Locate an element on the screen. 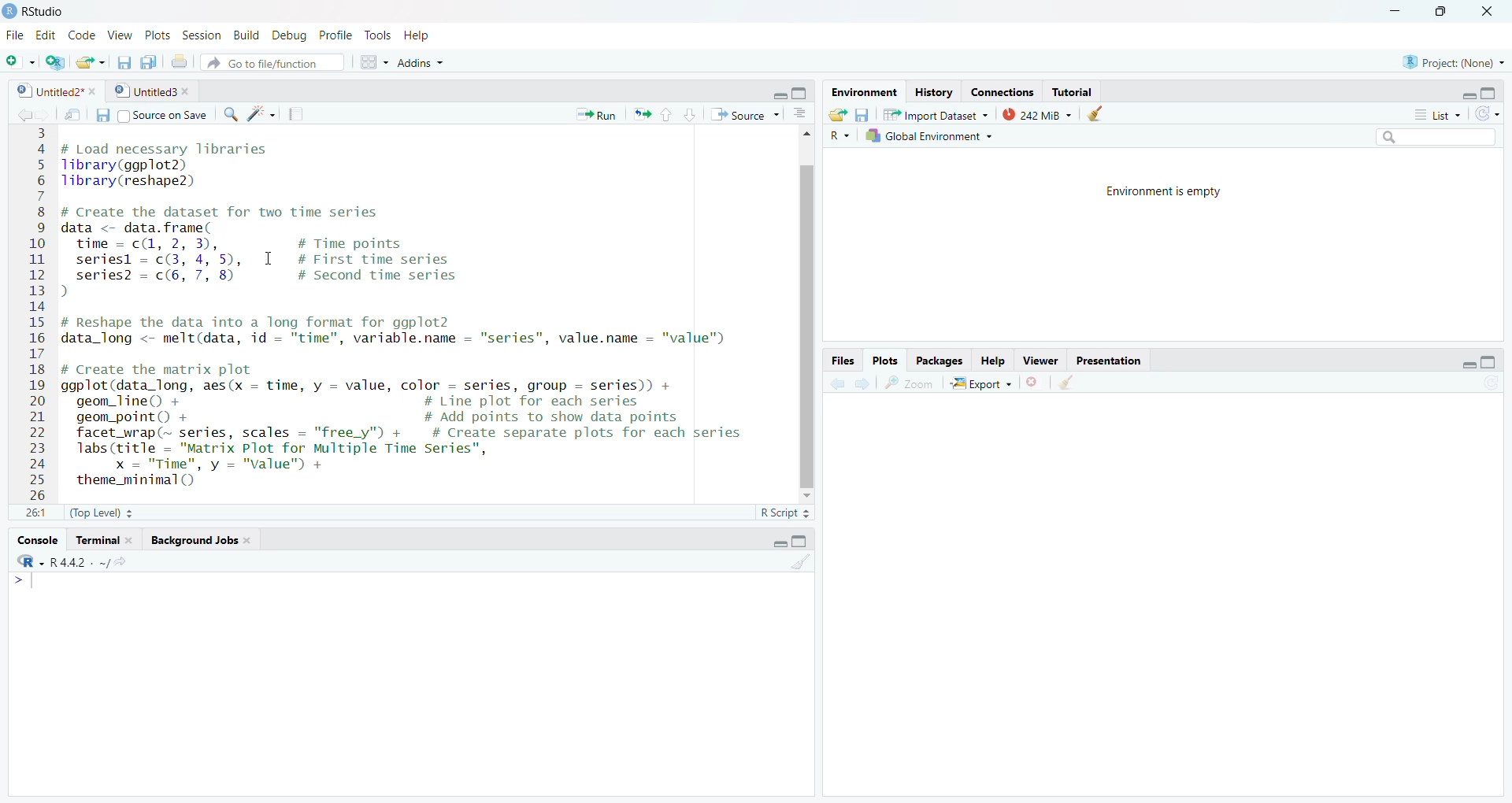  Import Dataset  is located at coordinates (936, 113).